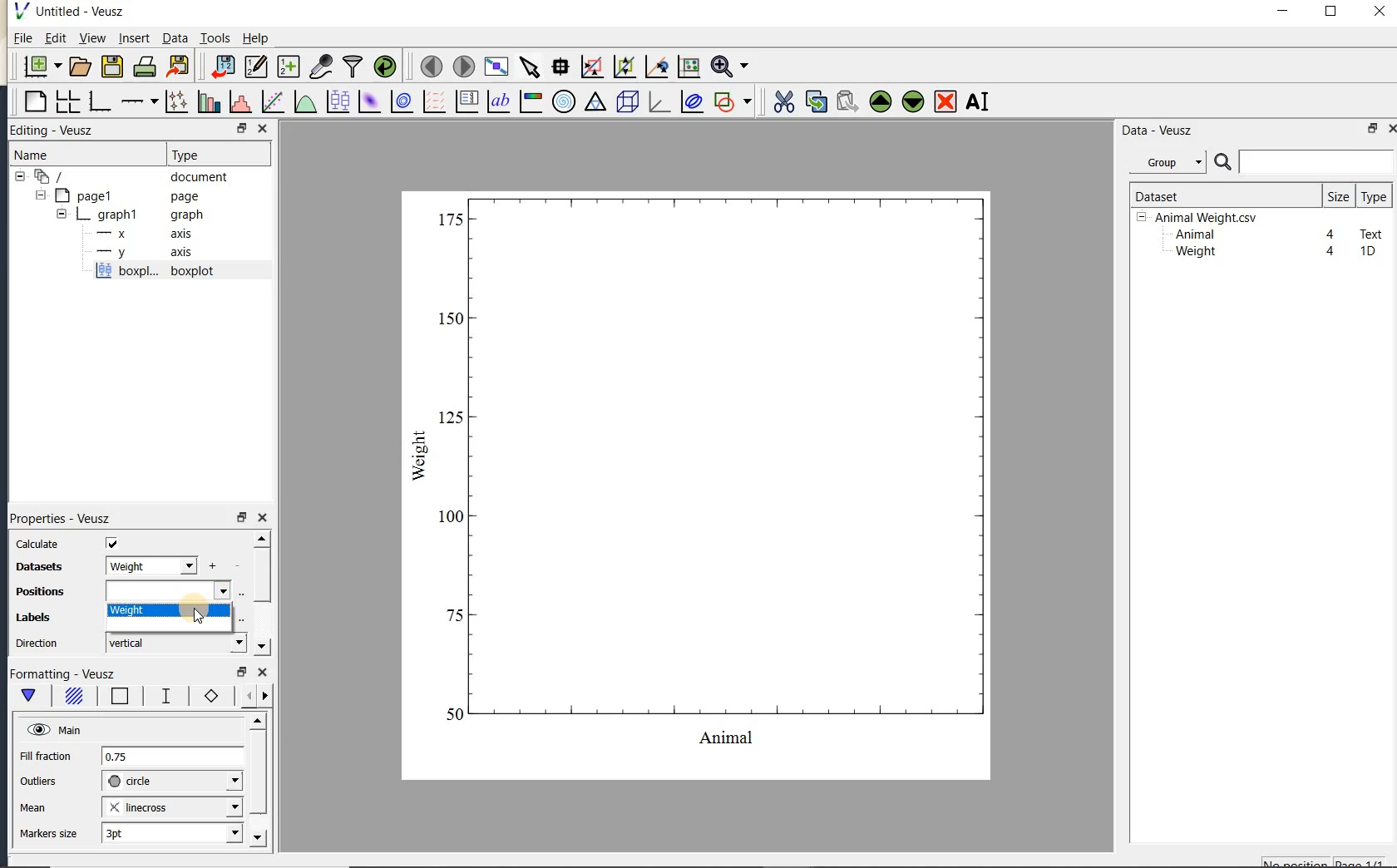 The width and height of the screenshot is (1397, 868). What do you see at coordinates (91, 40) in the screenshot?
I see `view` at bounding box center [91, 40].